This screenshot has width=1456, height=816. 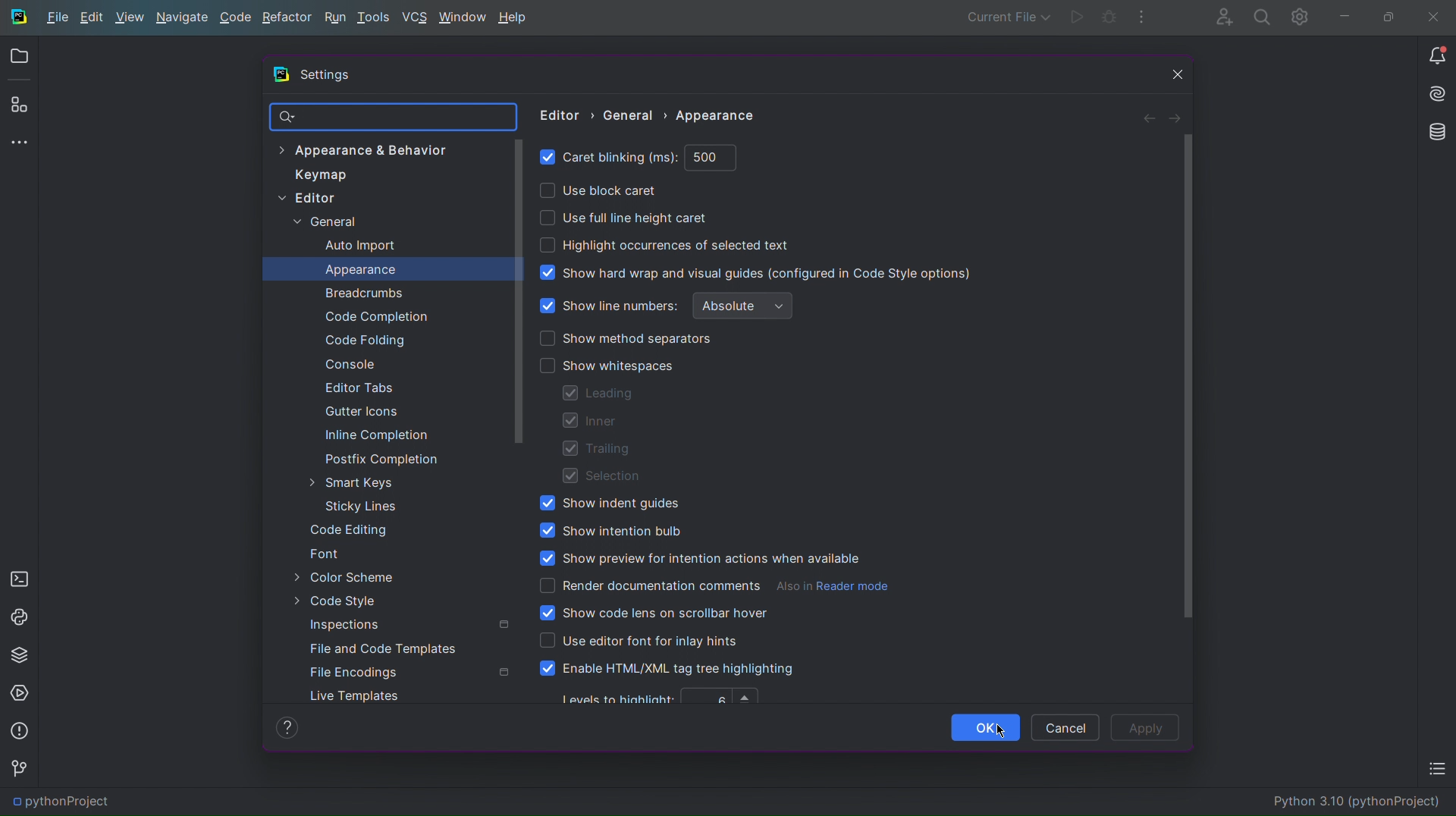 I want to click on Install AI Assistant, so click(x=1435, y=96).